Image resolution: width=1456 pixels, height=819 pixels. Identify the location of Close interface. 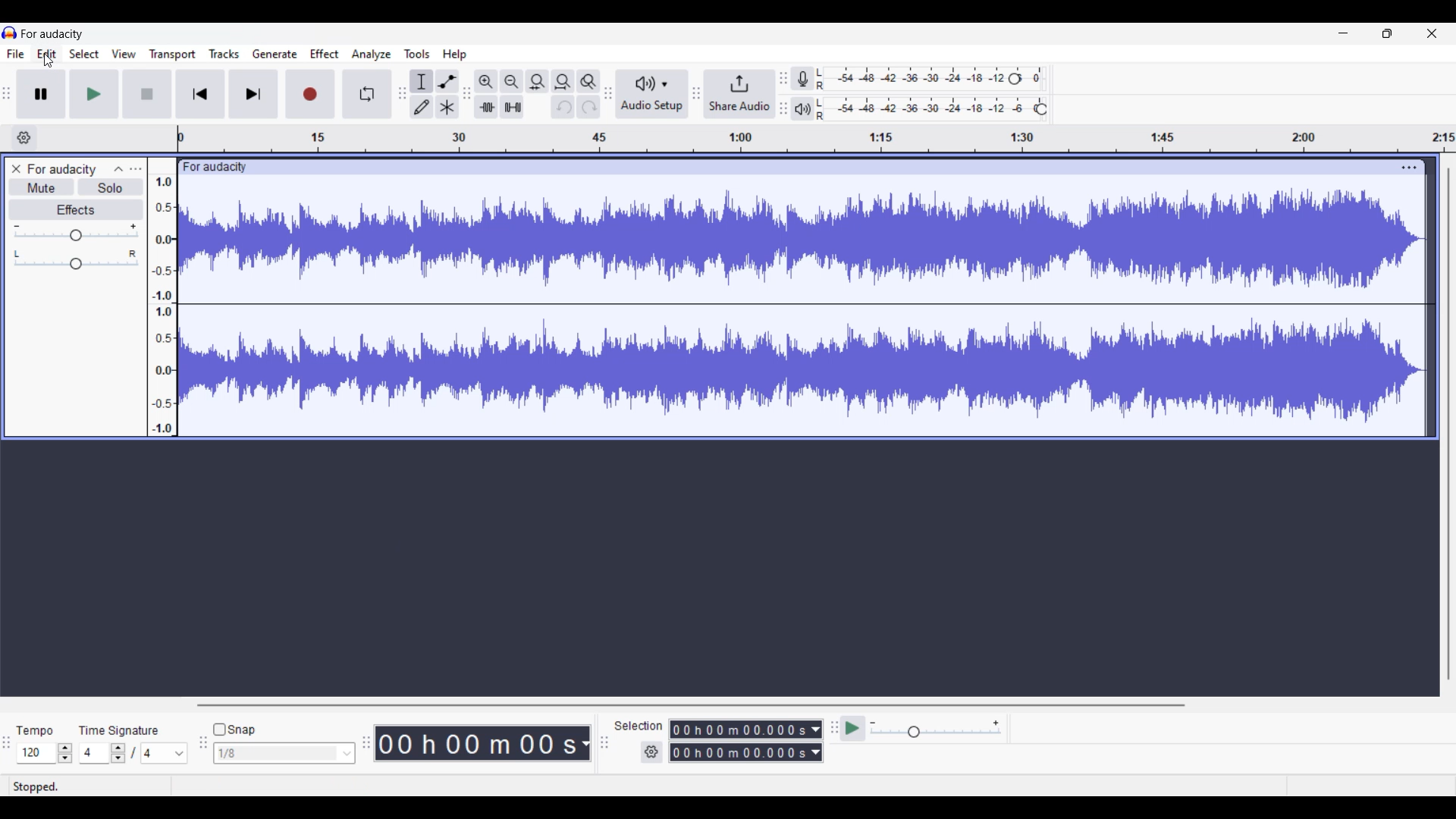
(1432, 33).